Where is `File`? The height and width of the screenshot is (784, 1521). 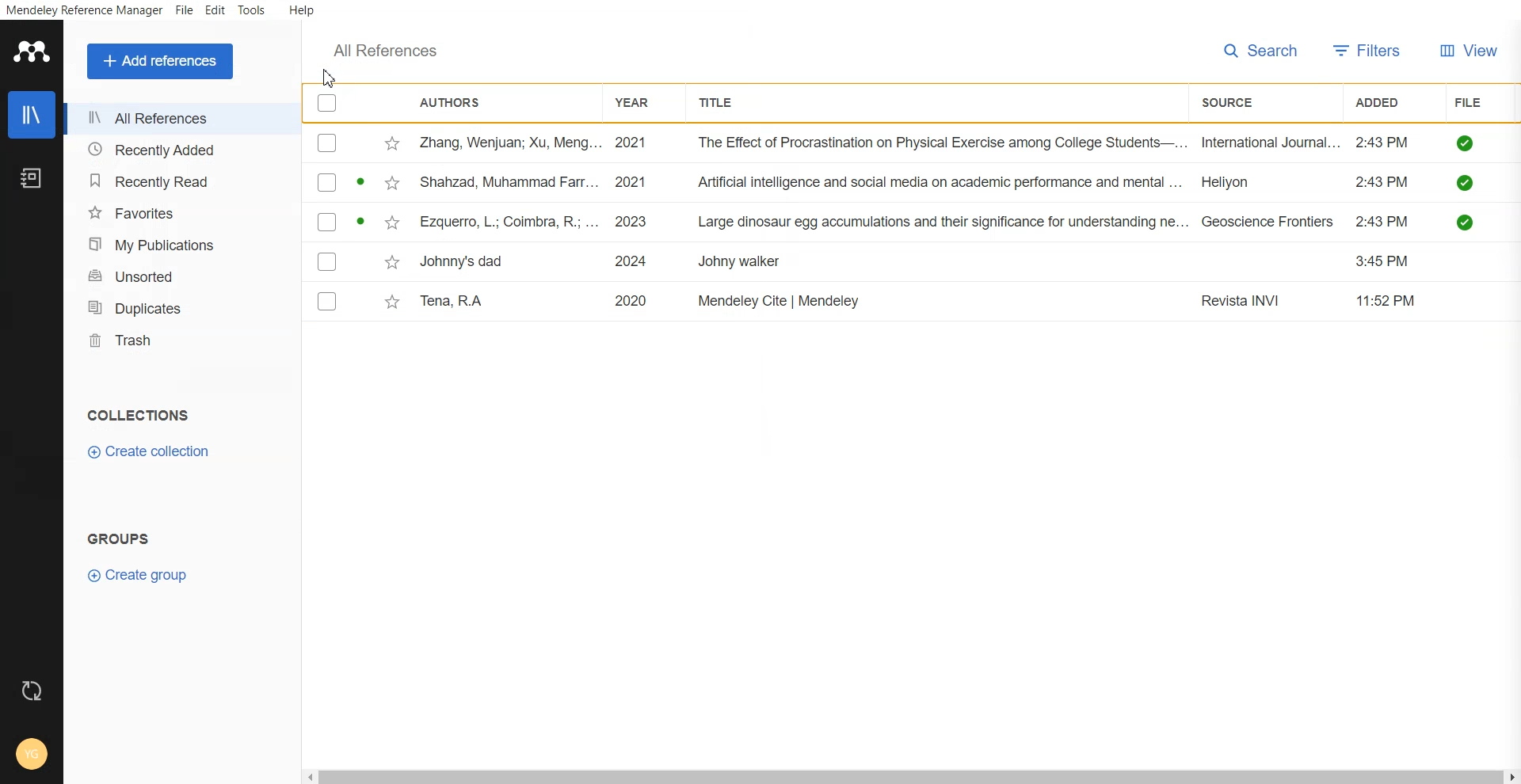
File is located at coordinates (1472, 101).